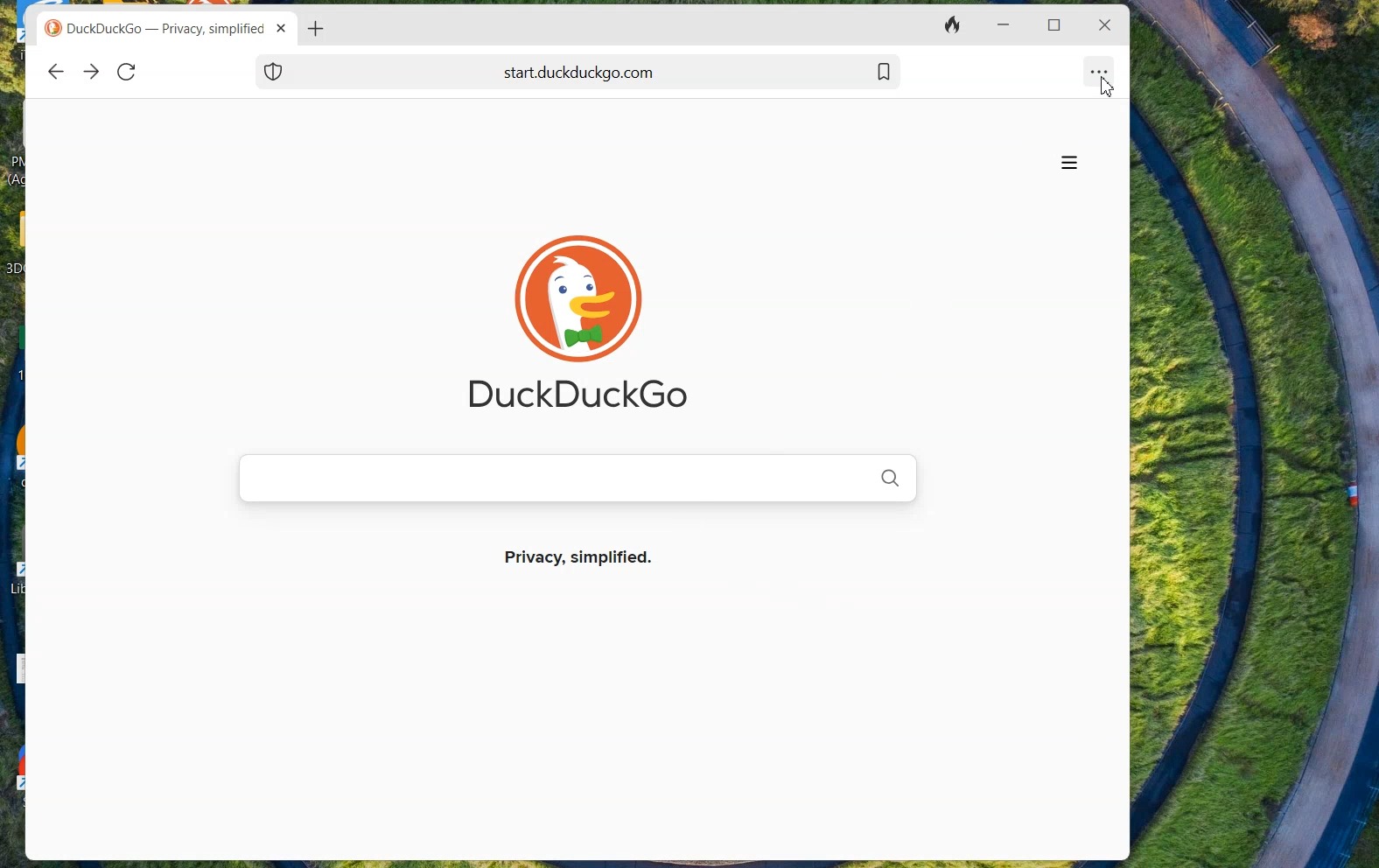 The width and height of the screenshot is (1379, 868). Describe the element at coordinates (1068, 164) in the screenshot. I see `options` at that location.